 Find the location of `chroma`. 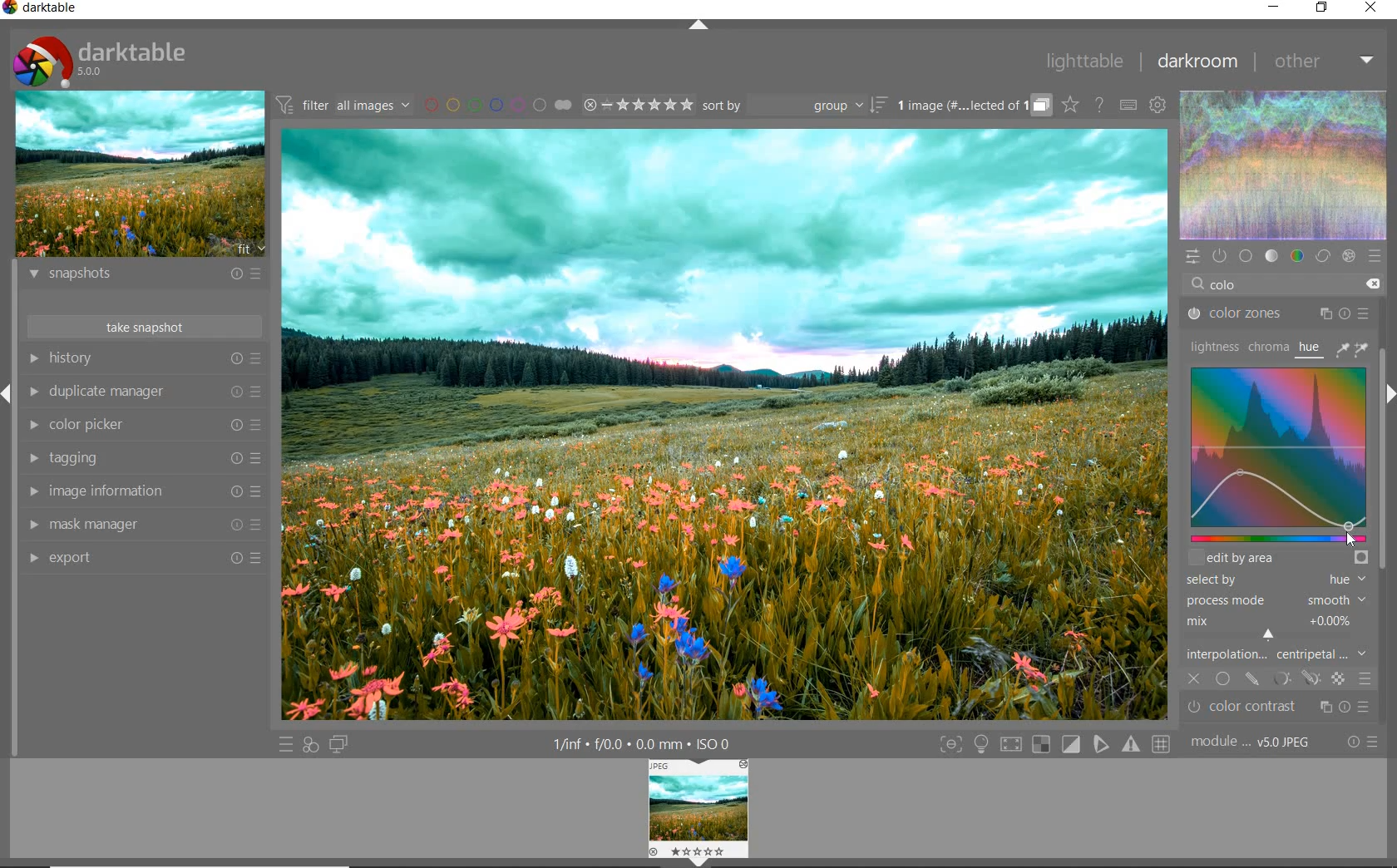

chroma is located at coordinates (1268, 347).